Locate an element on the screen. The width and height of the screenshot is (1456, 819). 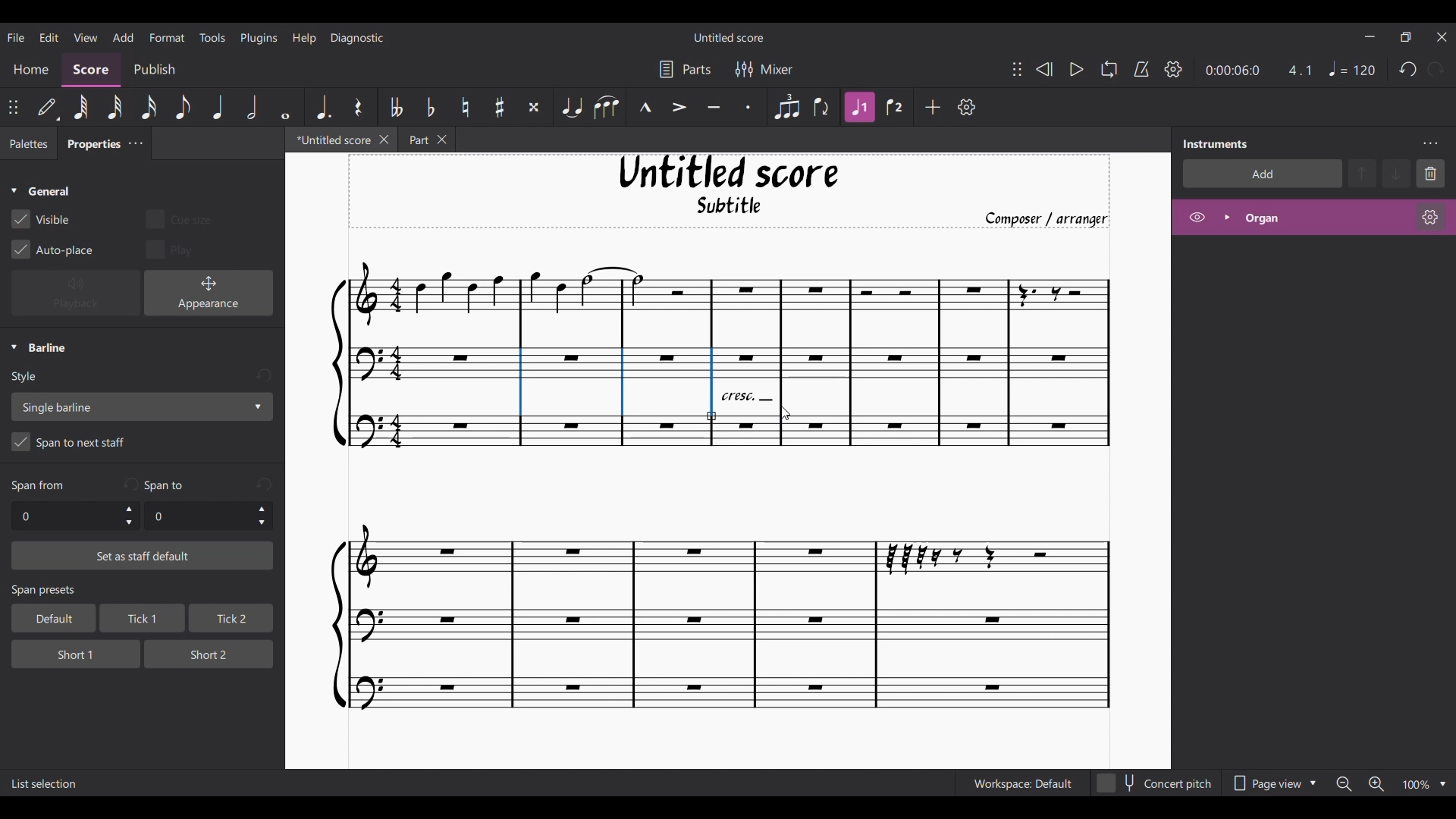
Toggle for Visible is located at coordinates (41, 219).